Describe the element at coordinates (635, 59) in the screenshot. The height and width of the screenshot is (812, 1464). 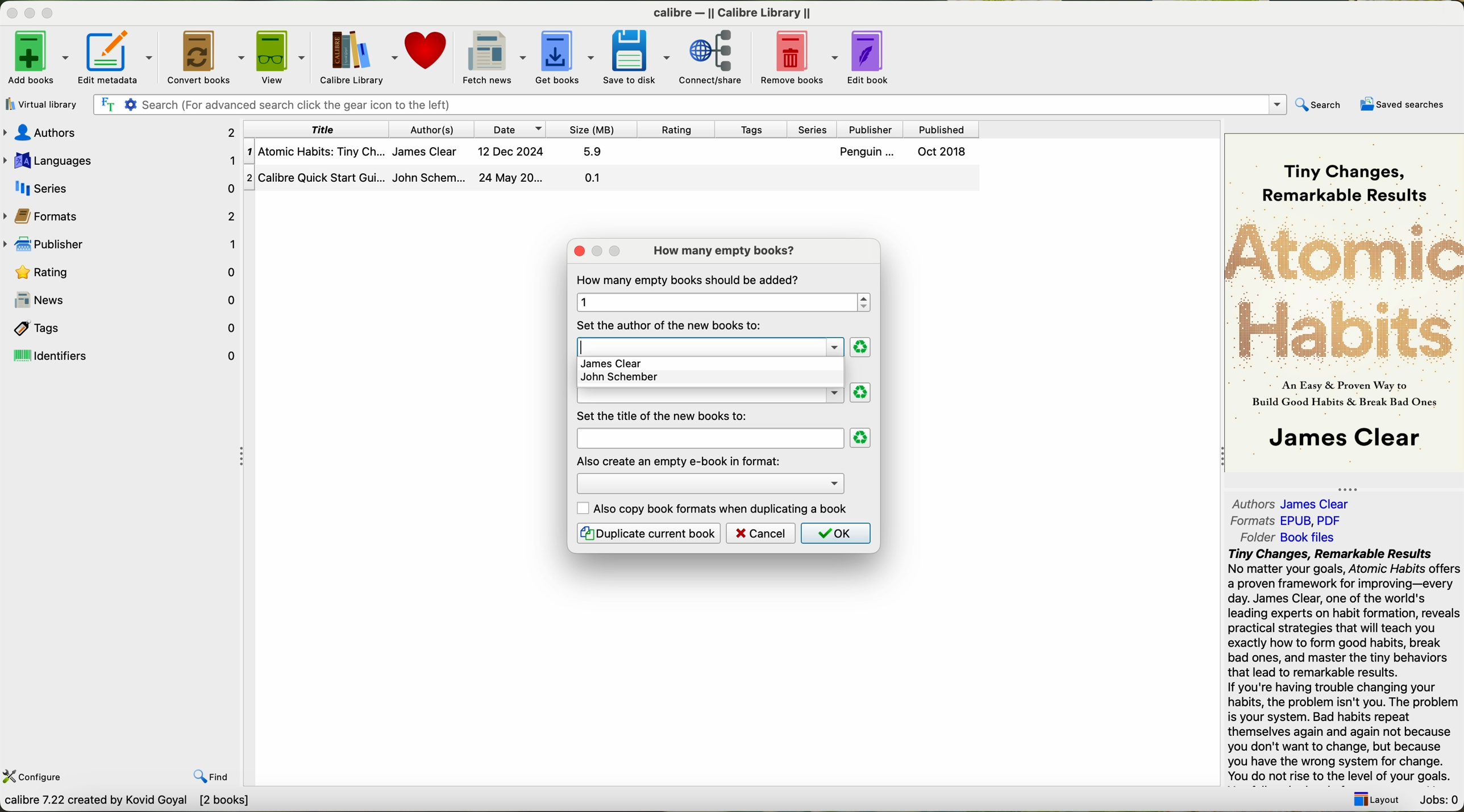
I see `save to disk` at that location.